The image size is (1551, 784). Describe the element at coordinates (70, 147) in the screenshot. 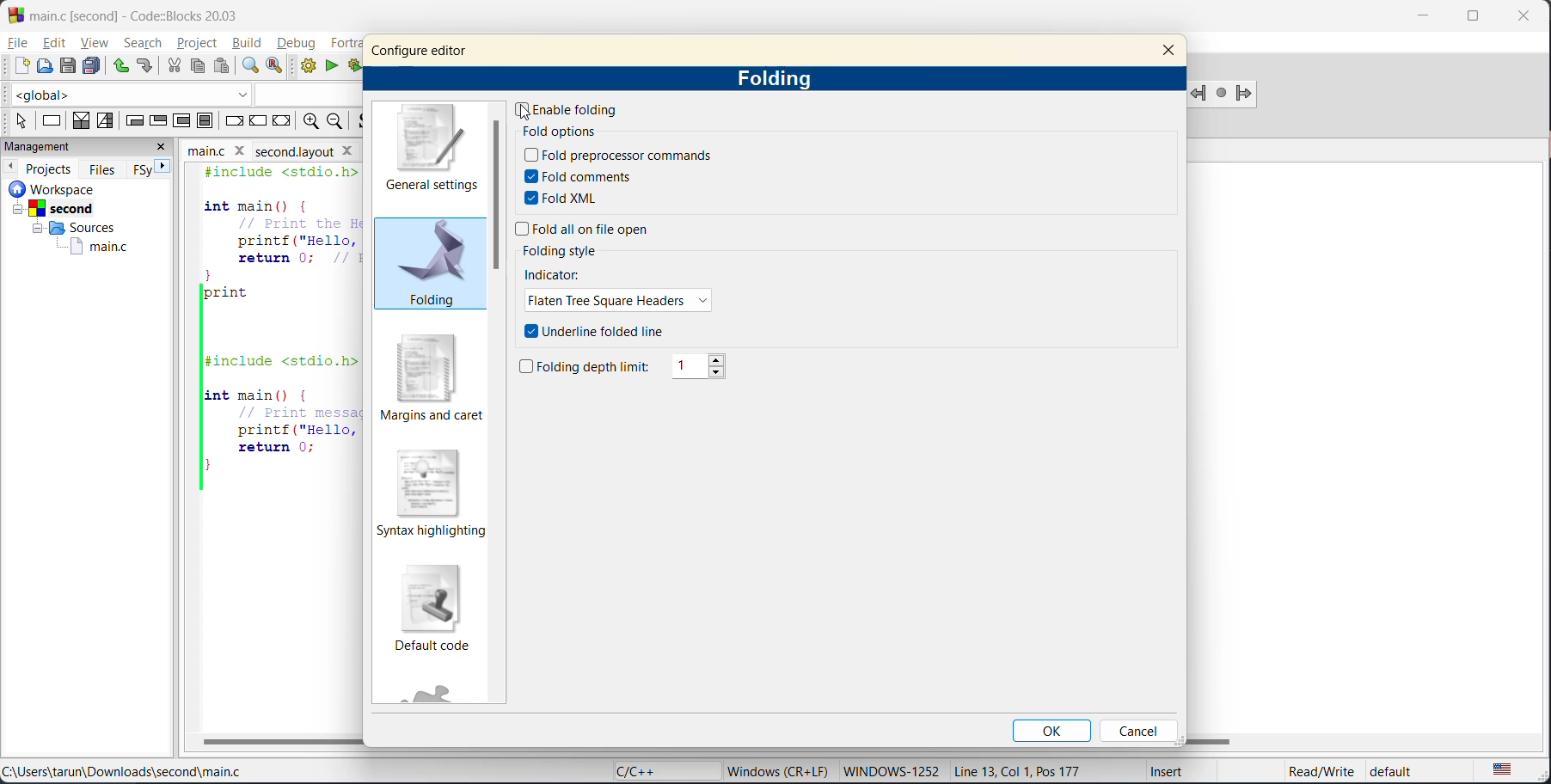

I see `management` at that location.